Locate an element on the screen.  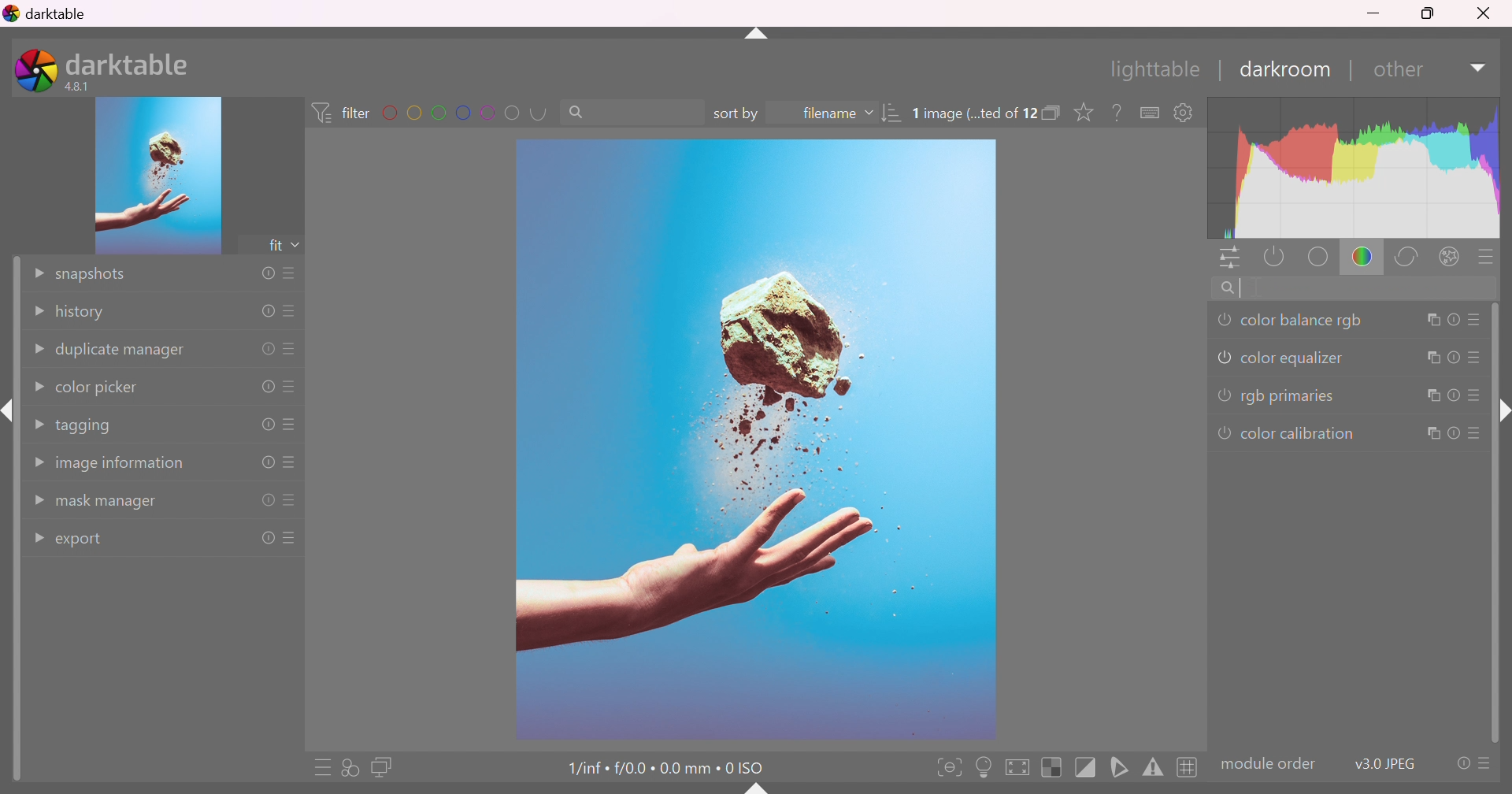
show global preferences is located at coordinates (1184, 114).